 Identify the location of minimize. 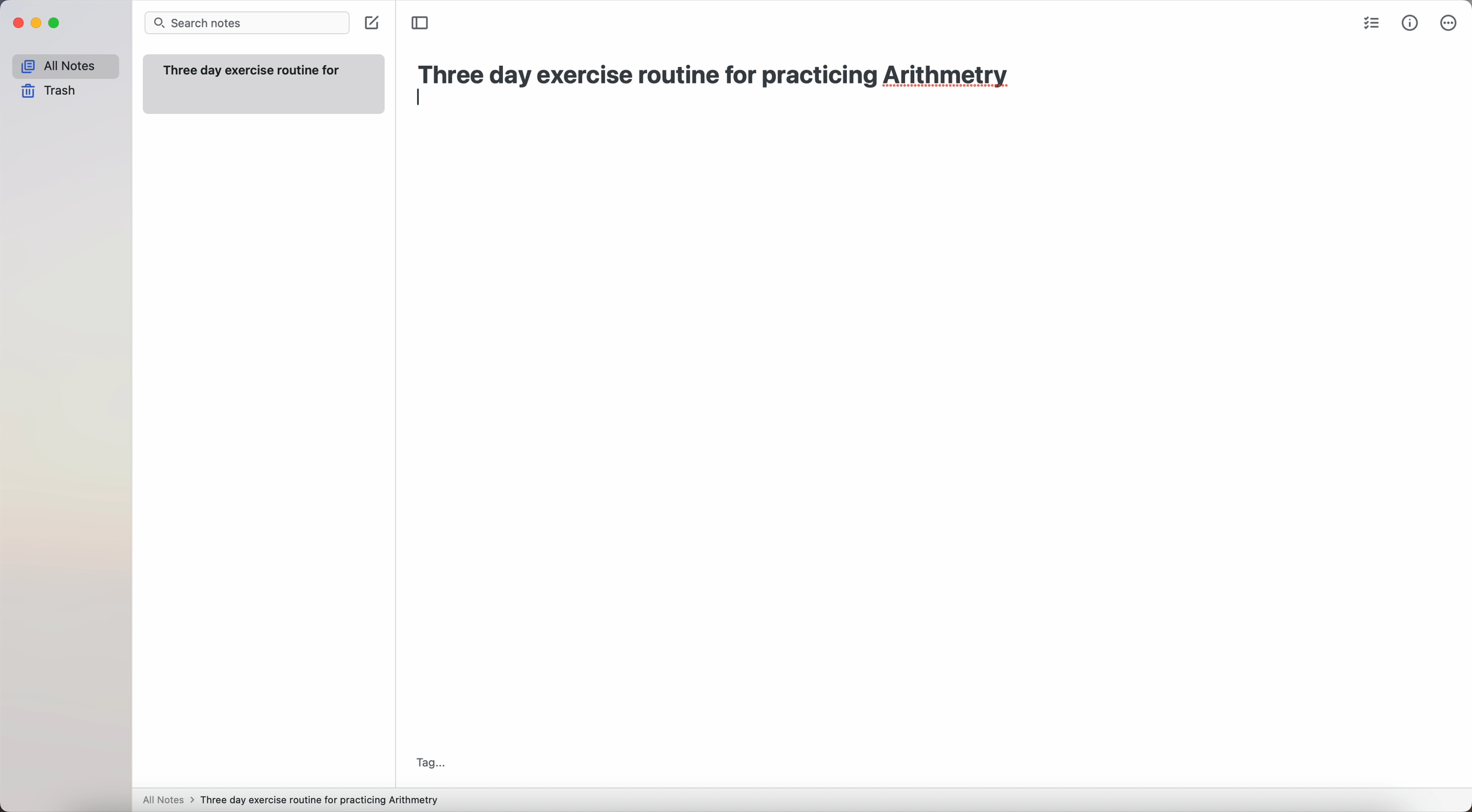
(36, 24).